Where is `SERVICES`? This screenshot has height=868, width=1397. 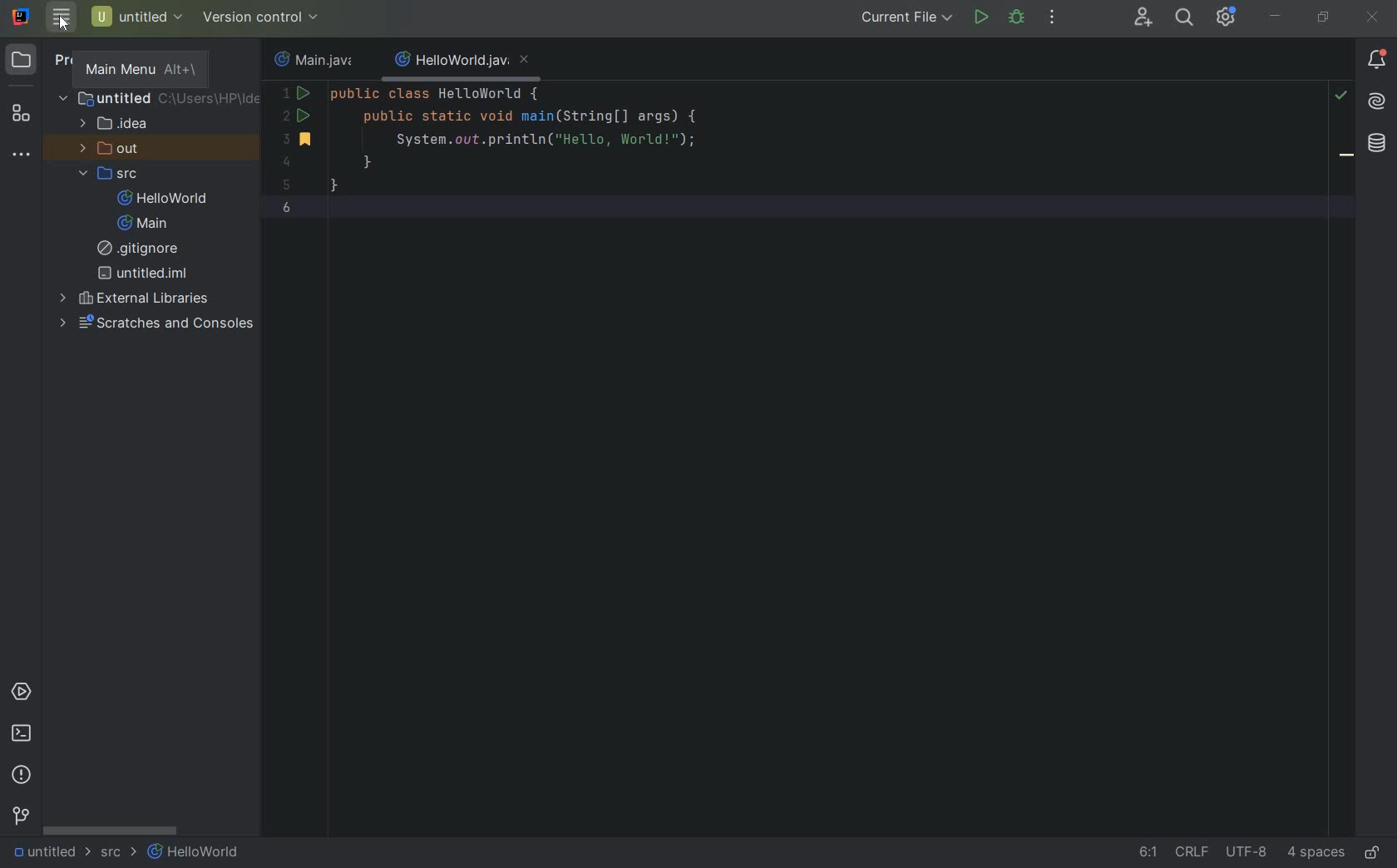
SERVICES is located at coordinates (21, 692).